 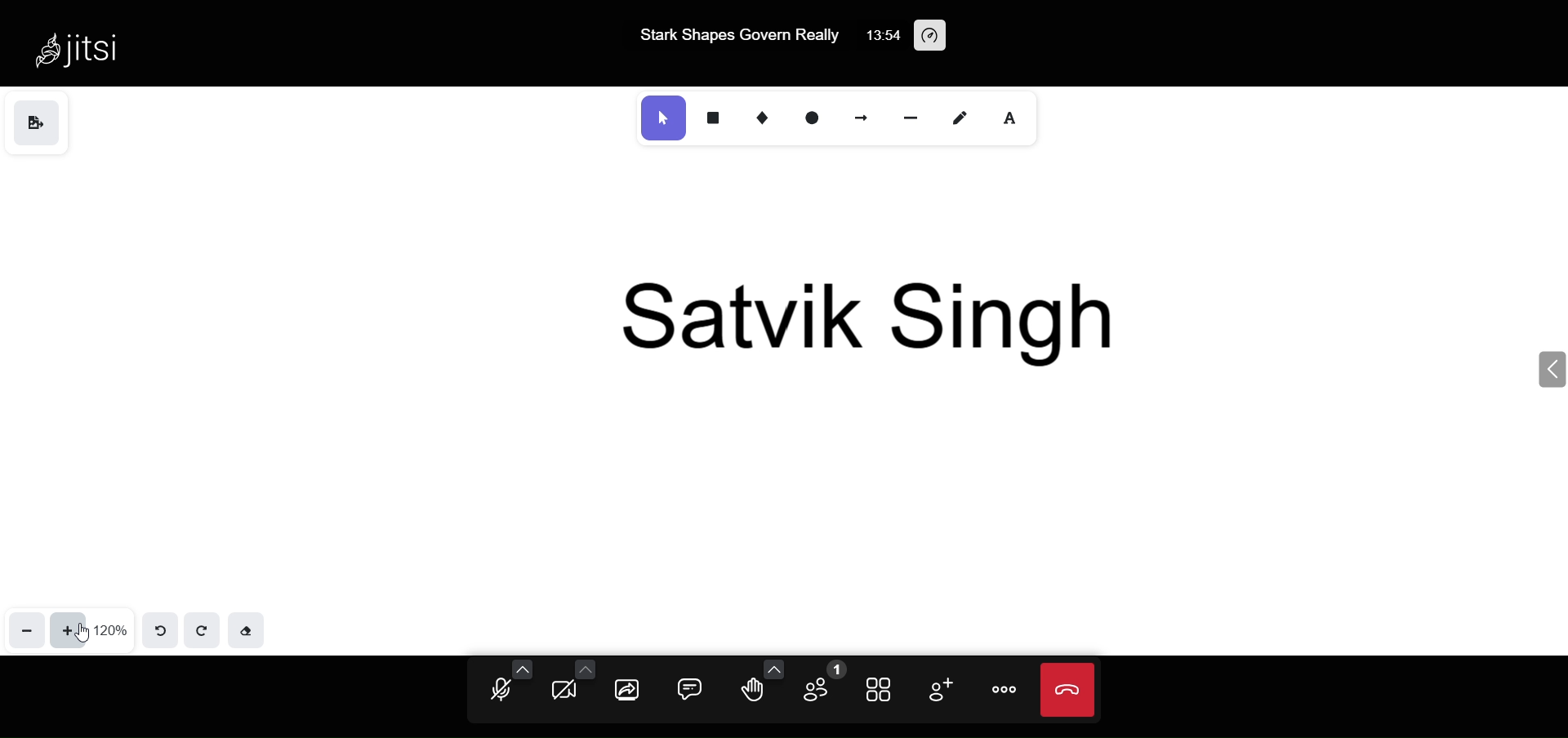 I want to click on Satvik SIngh, so click(x=877, y=314).